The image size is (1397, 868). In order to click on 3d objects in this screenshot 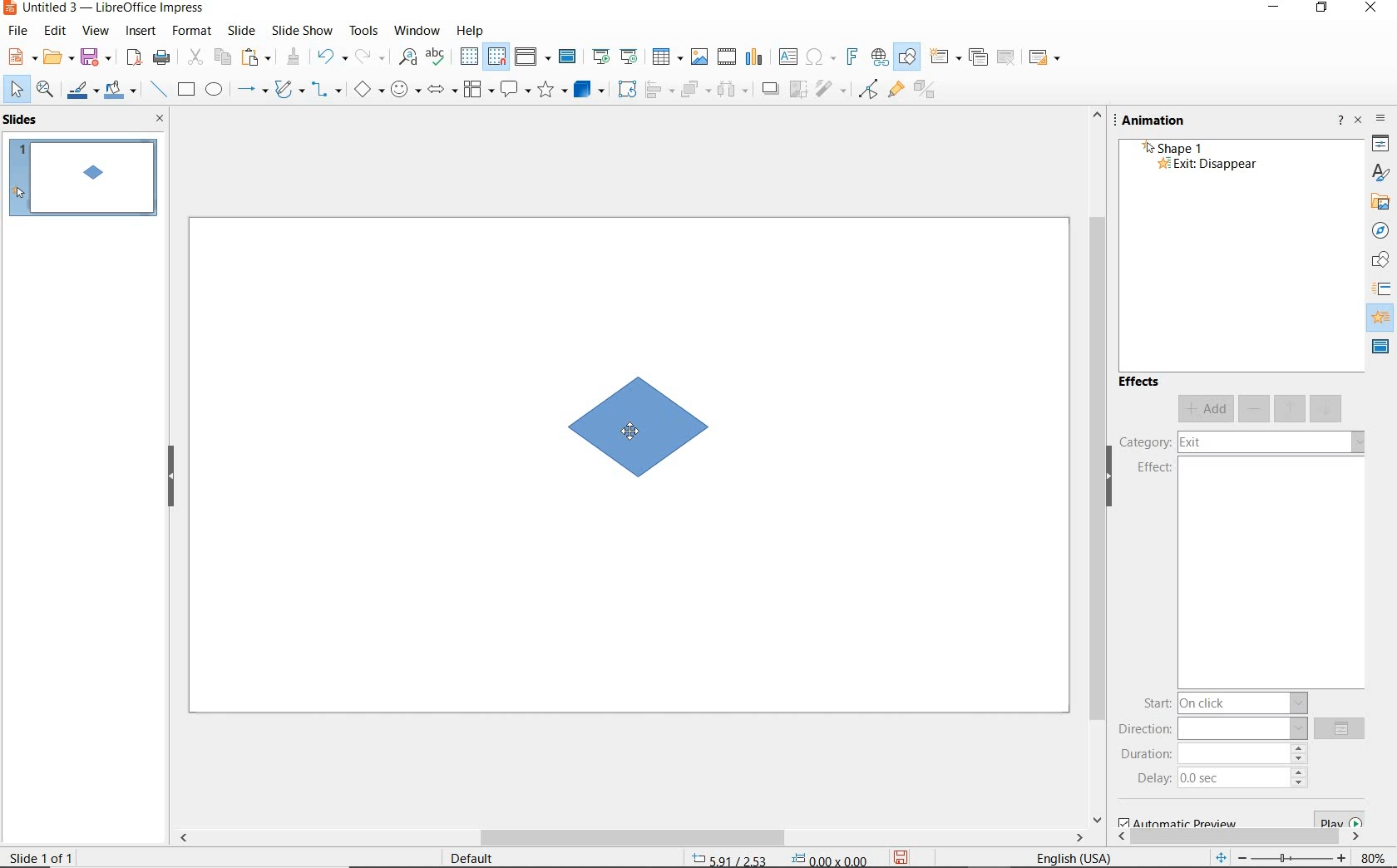, I will do `click(589, 89)`.